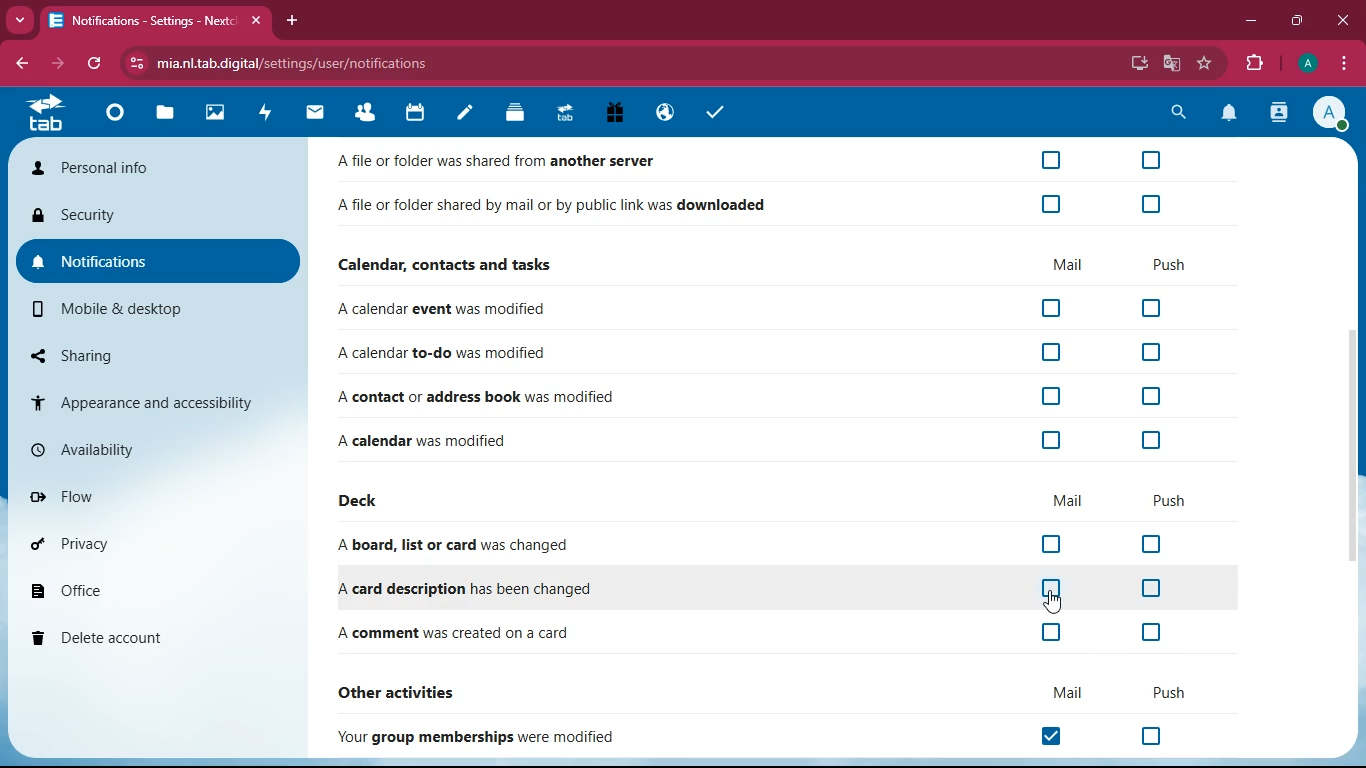 Image resolution: width=1366 pixels, height=768 pixels. I want to click on activity, so click(267, 112).